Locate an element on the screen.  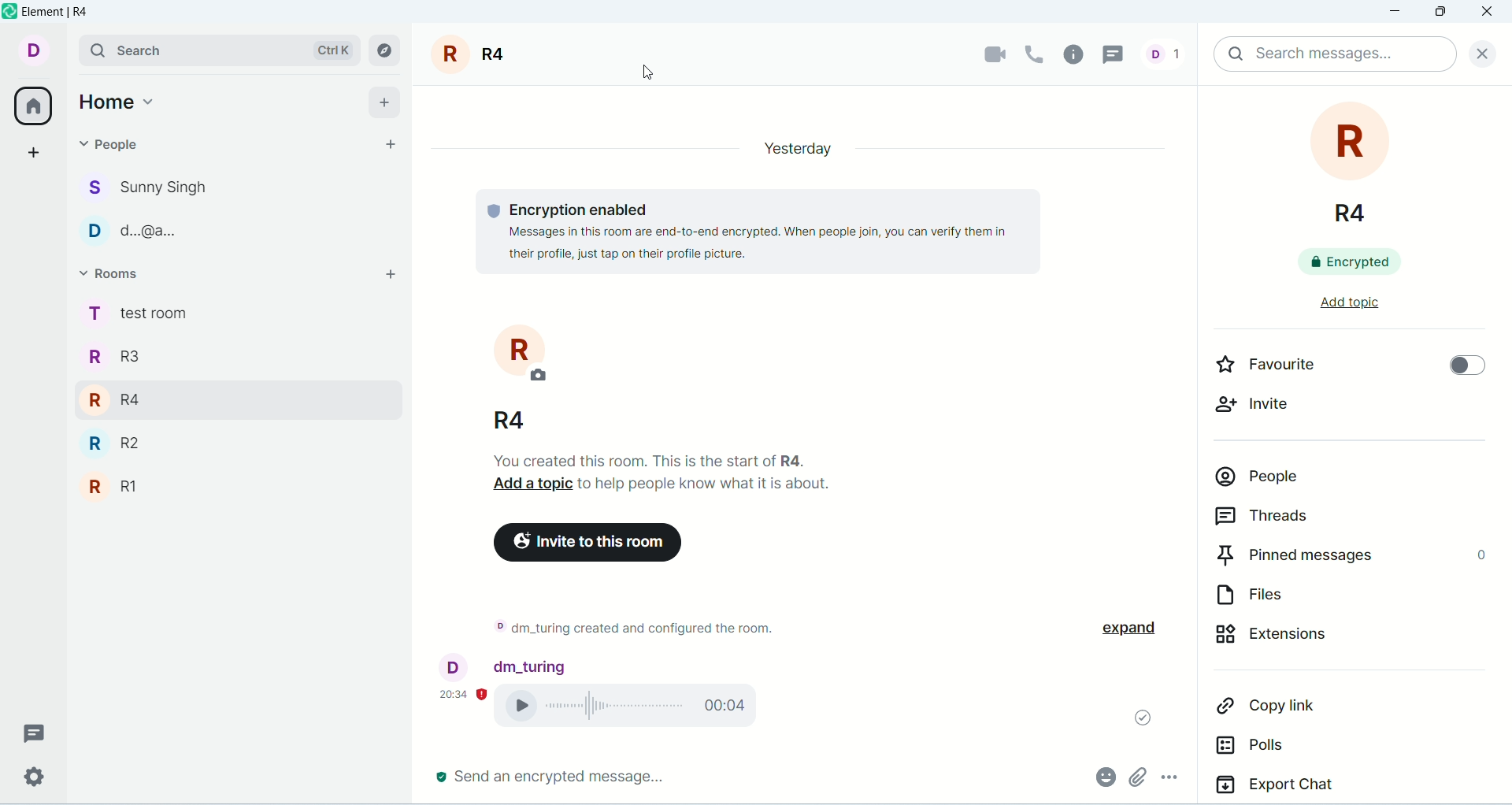
copy link is located at coordinates (1315, 711).